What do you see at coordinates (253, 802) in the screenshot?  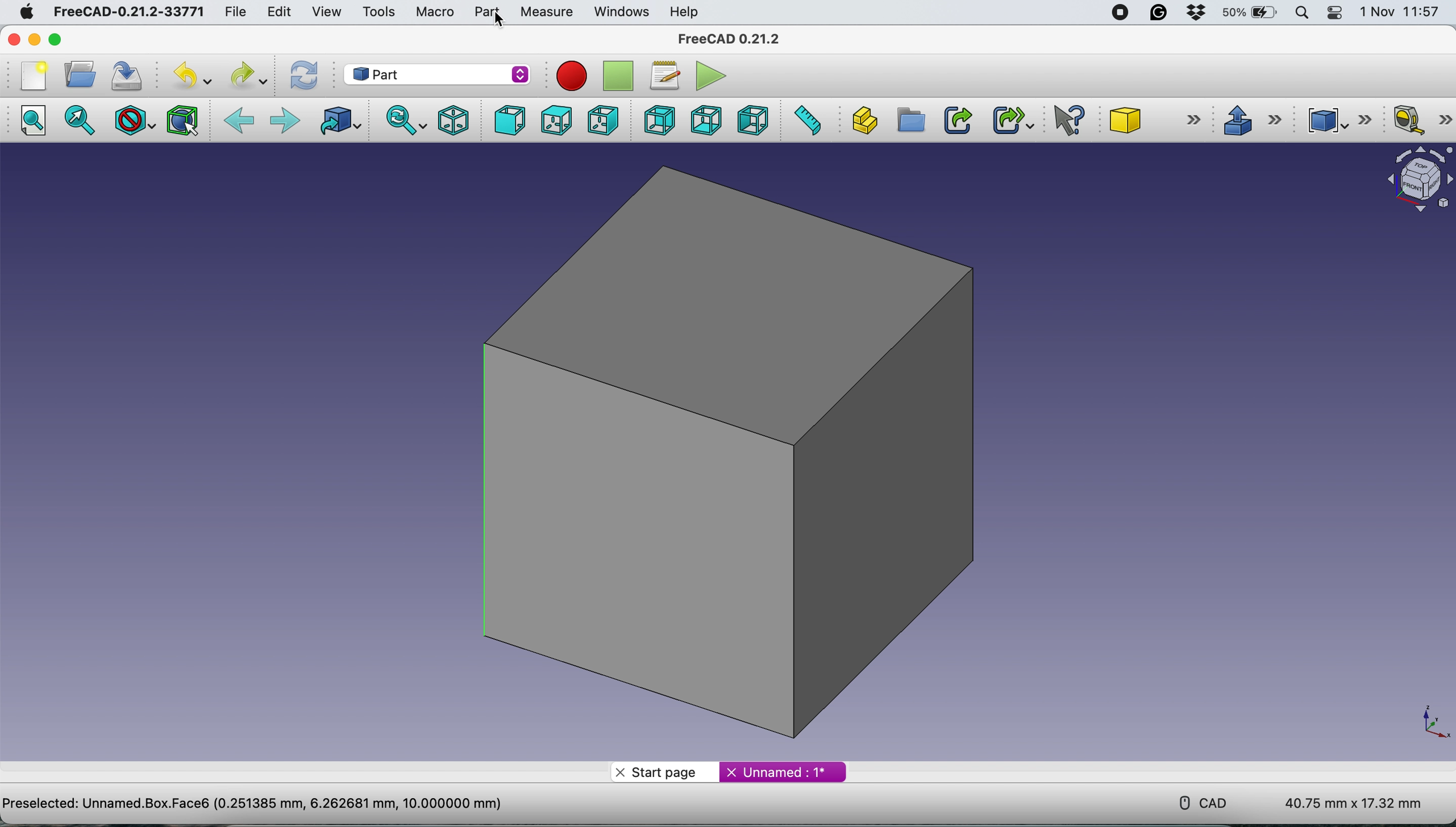 I see `project name and details - preselected: Unnamed.Box.Face6 (0.251385 mm, 6.262681 mm, 10.000000 mm)` at bounding box center [253, 802].